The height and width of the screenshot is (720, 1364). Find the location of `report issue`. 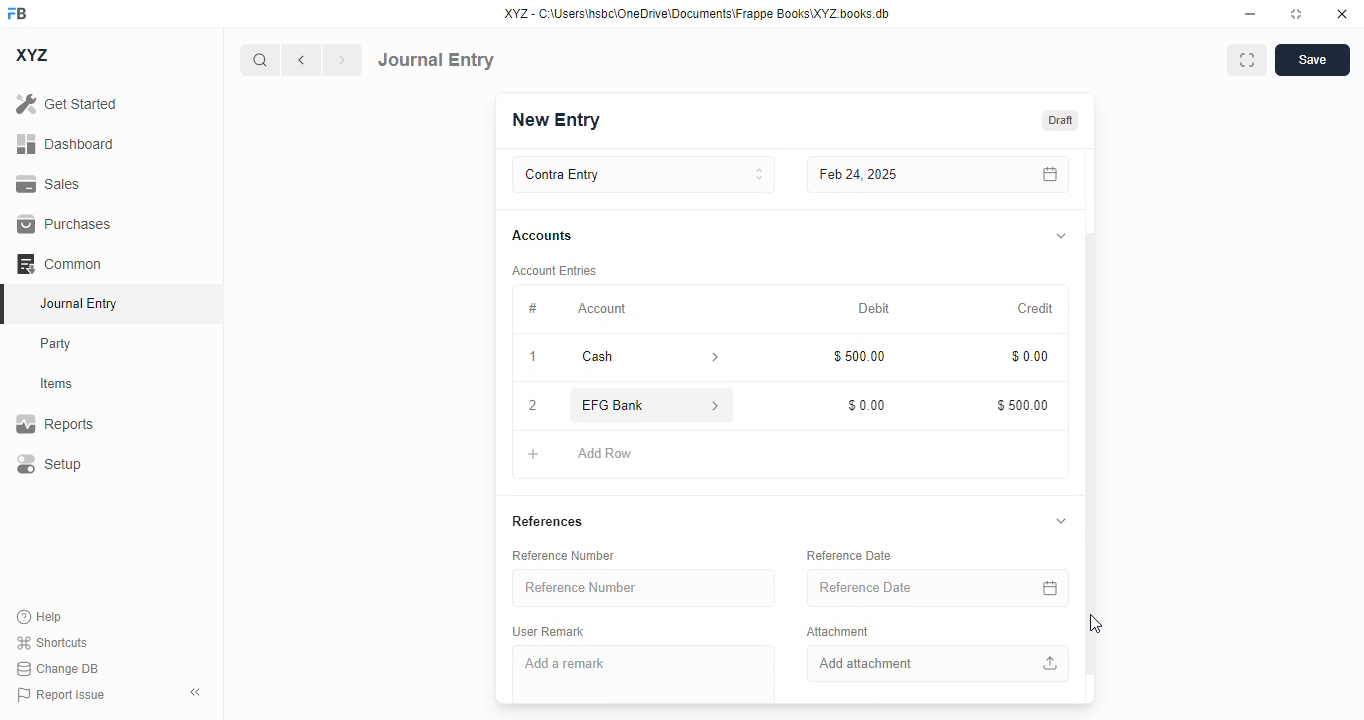

report issue is located at coordinates (61, 694).